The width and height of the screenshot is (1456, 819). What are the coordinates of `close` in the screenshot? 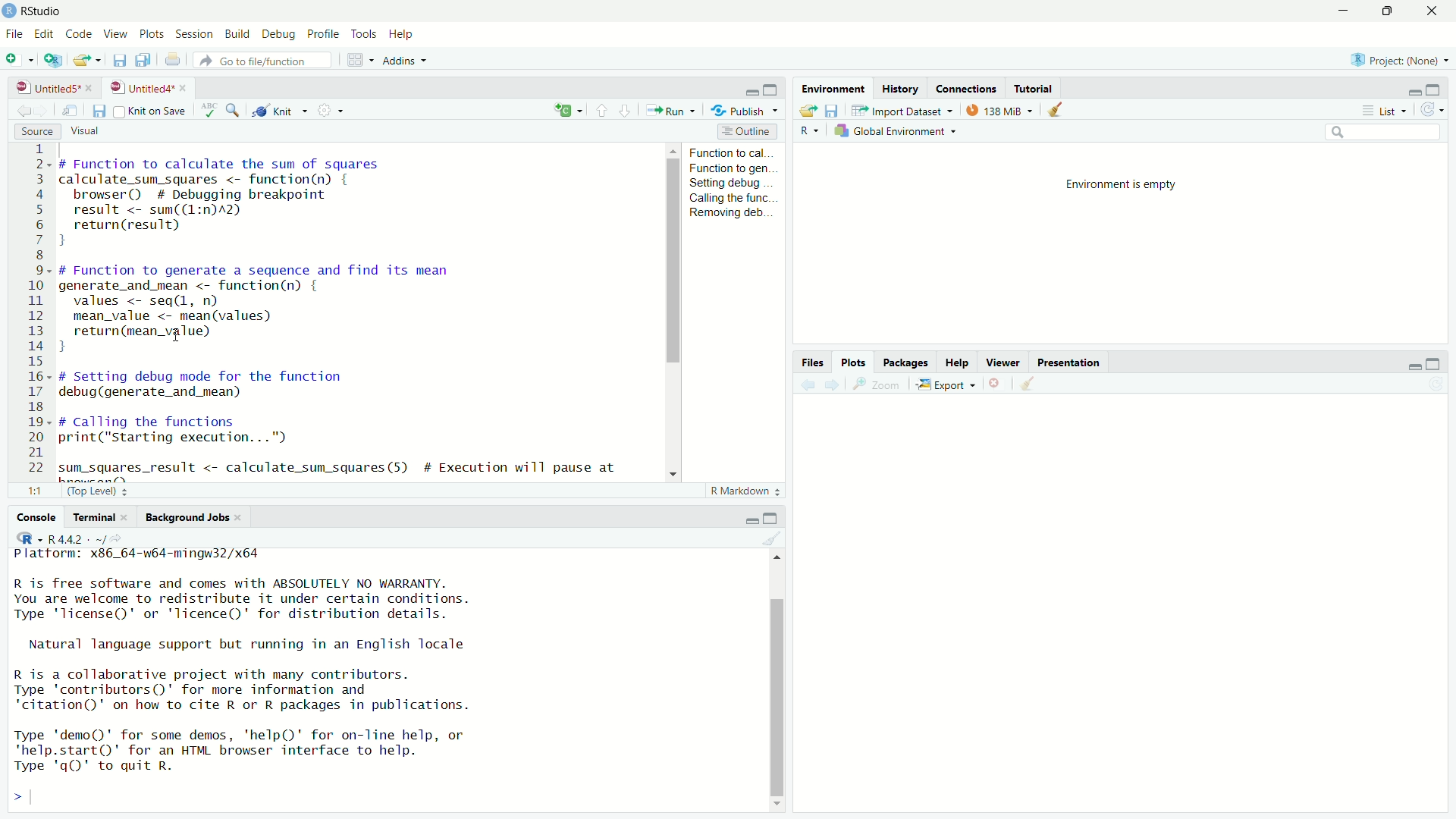 It's located at (1438, 12).